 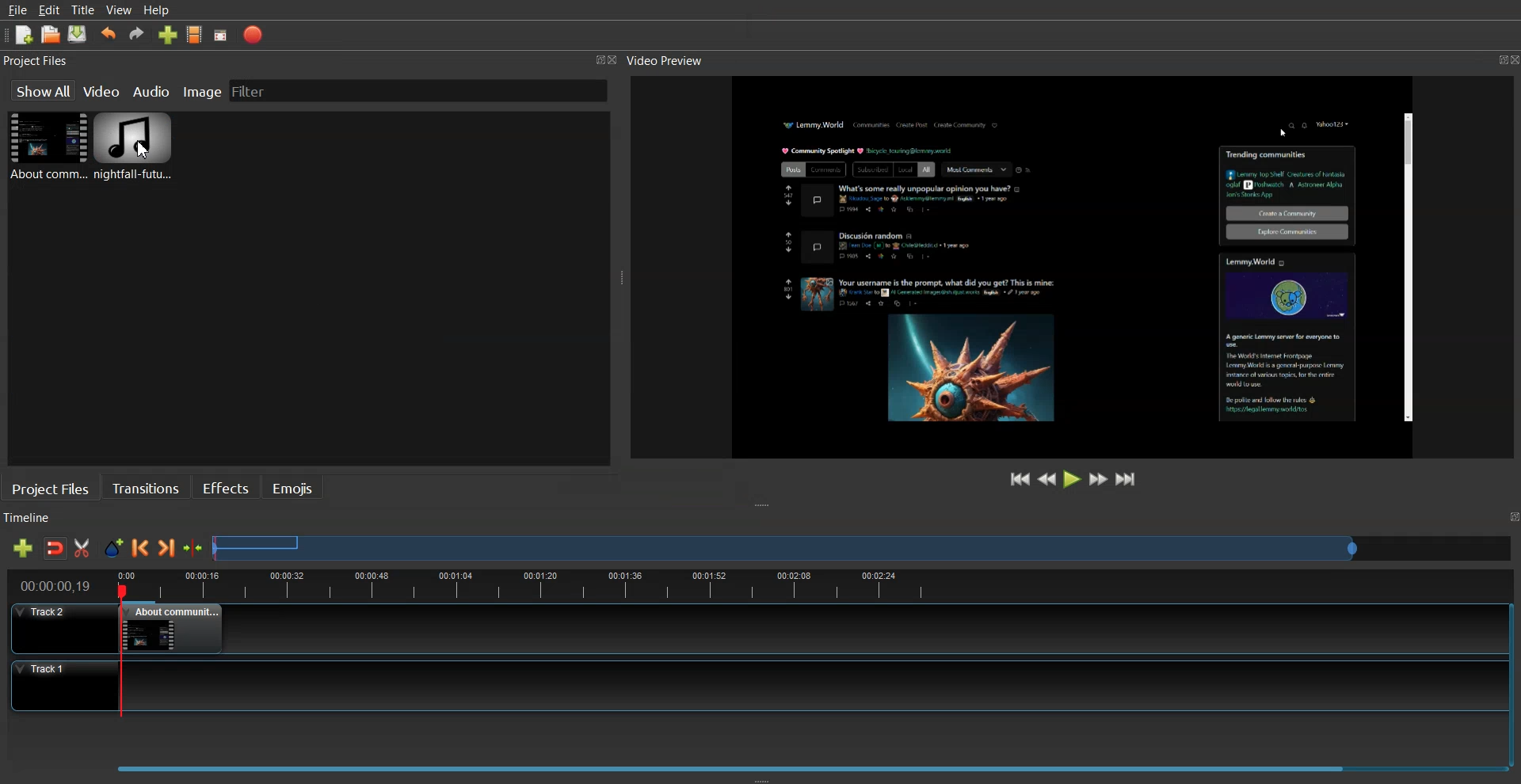 I want to click on Fast Forward, so click(x=1099, y=478).